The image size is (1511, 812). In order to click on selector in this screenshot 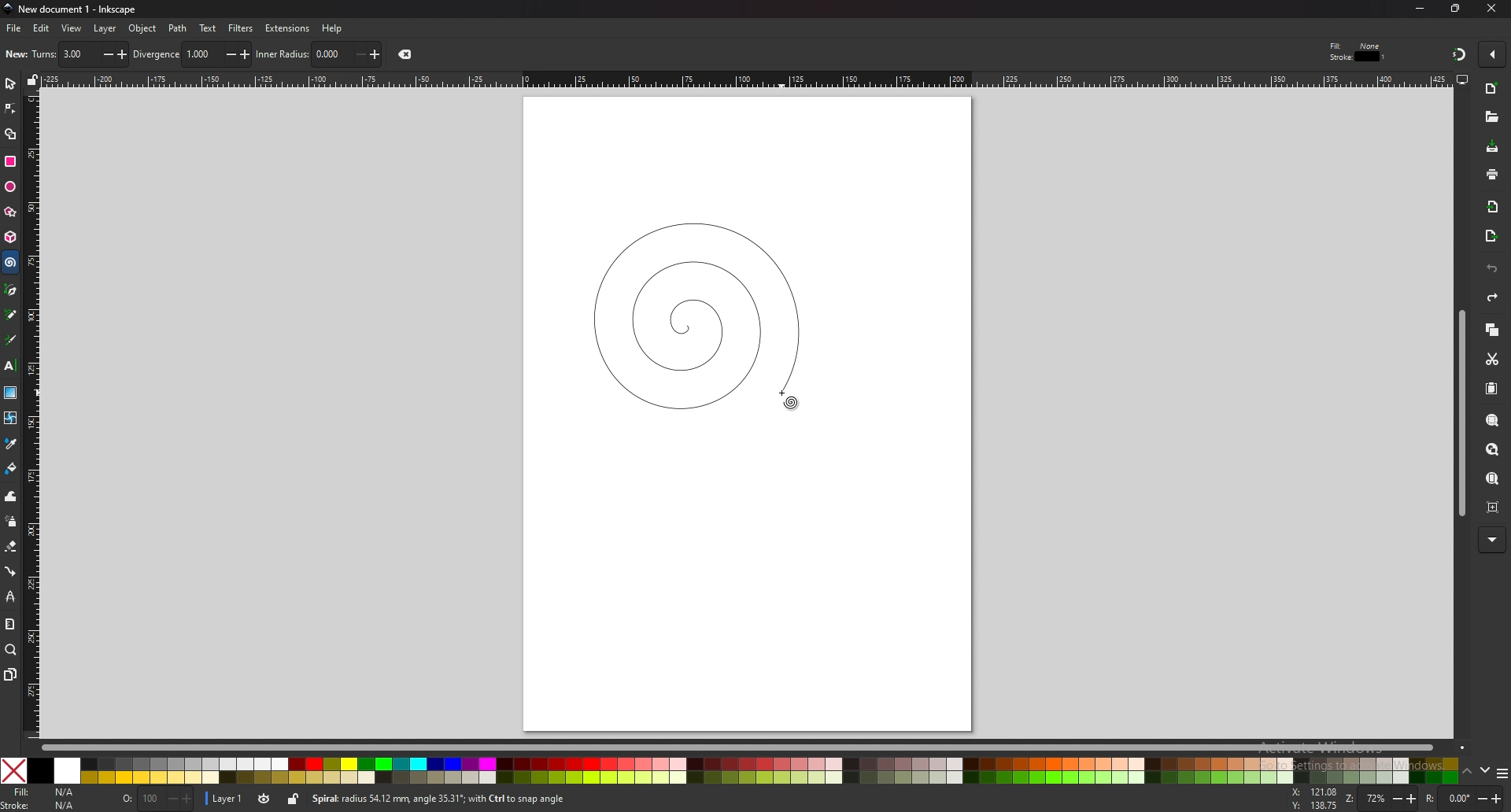, I will do `click(10, 84)`.